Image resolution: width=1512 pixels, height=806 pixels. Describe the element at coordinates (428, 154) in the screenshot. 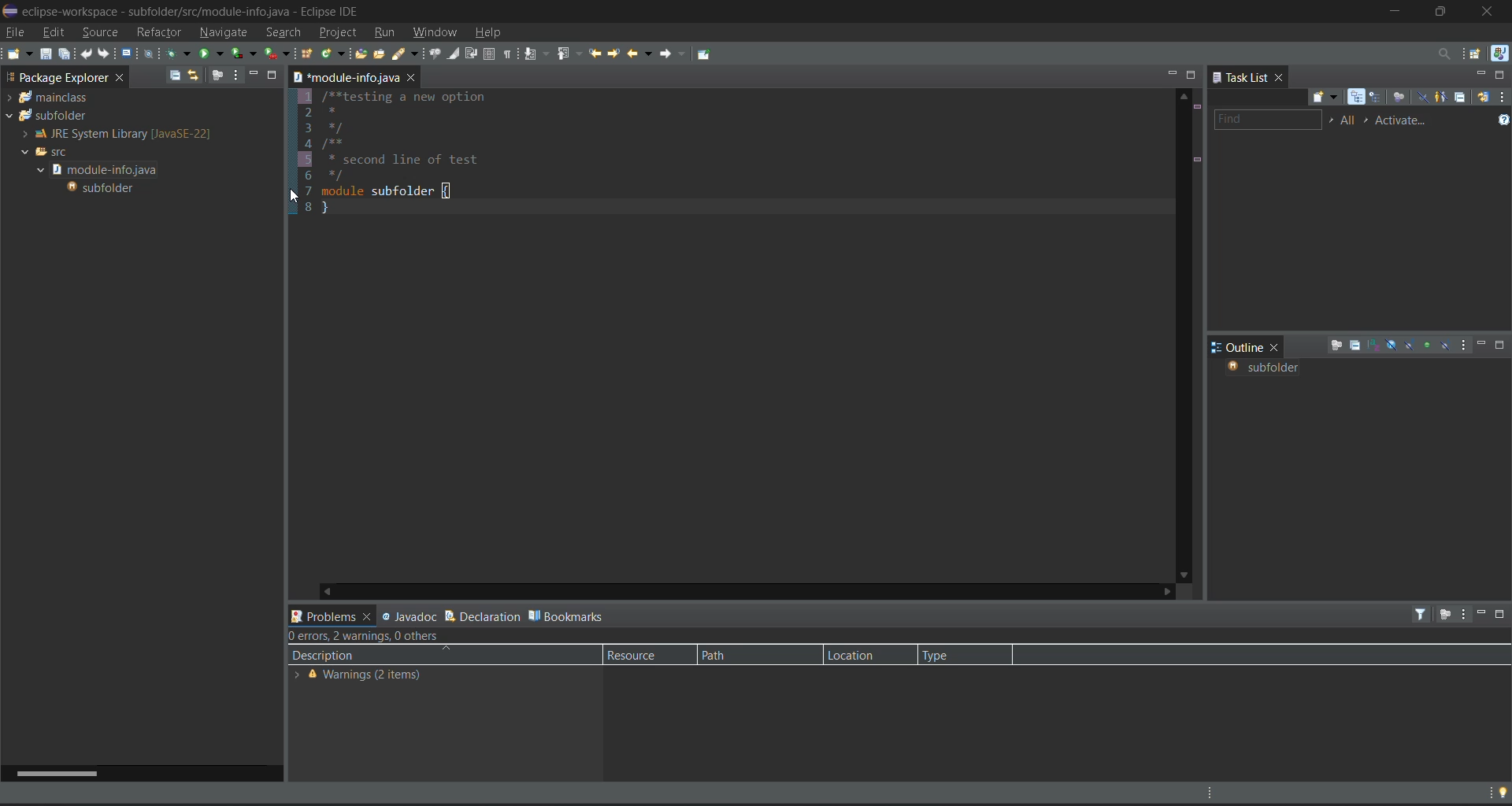

I see `1 /**testing a new option 2 * 3 */ 4 /** 5 * second line of test 6 */ 7 module subfolder{ 8 }` at that location.